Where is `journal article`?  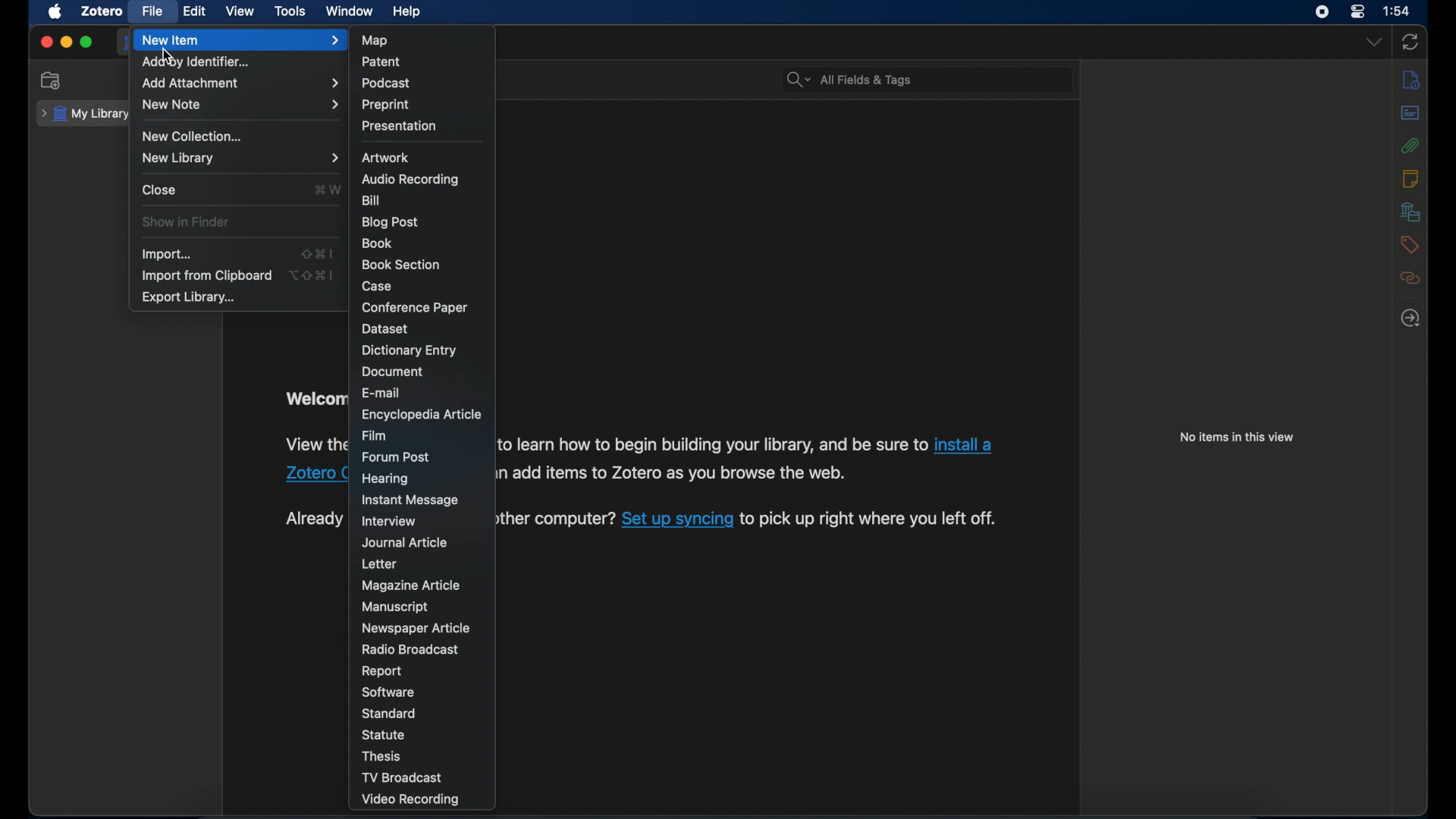
journal article is located at coordinates (406, 542).